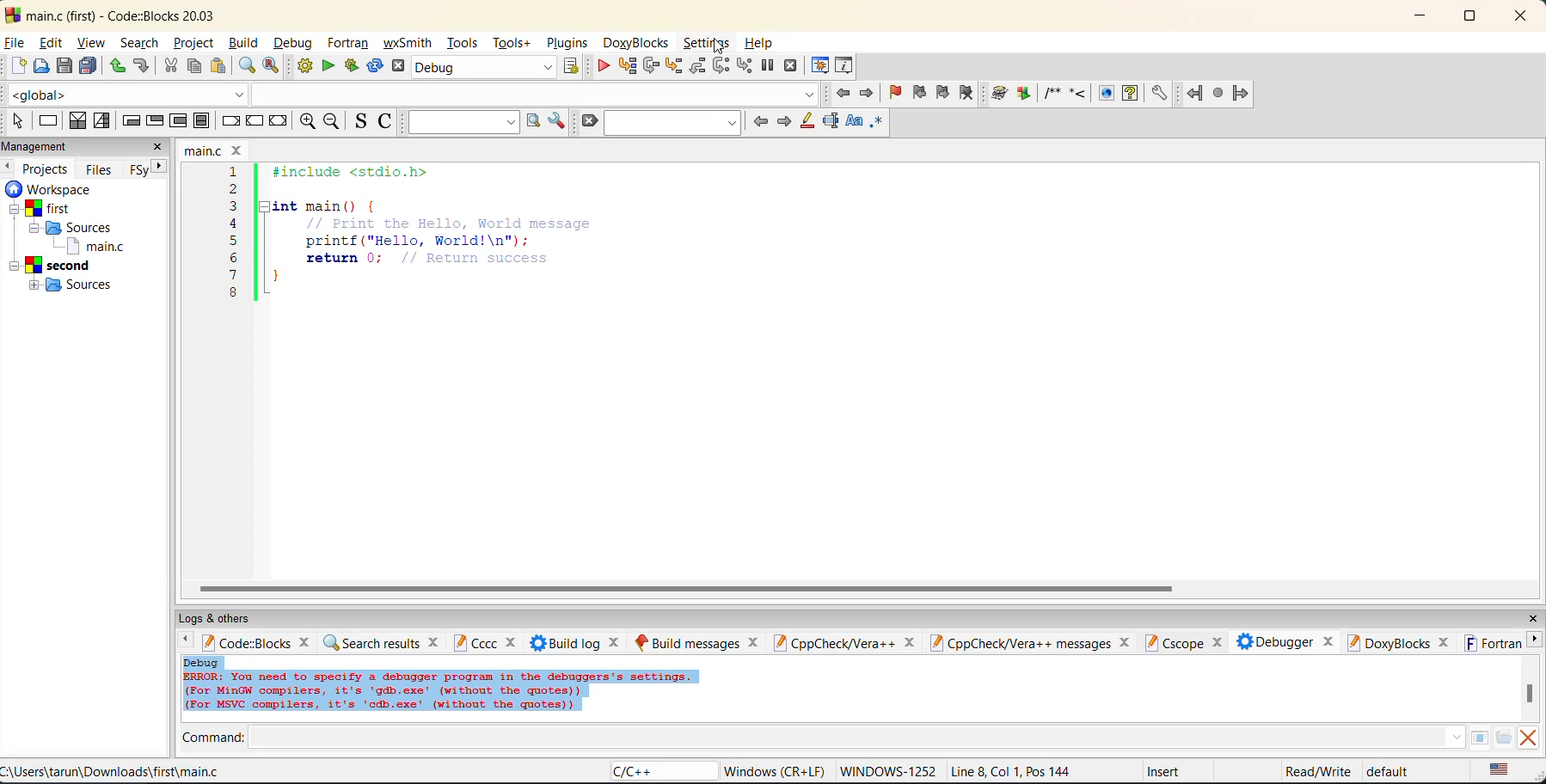 The image size is (1546, 784). I want to click on extract documentation for the current project, so click(1023, 97).